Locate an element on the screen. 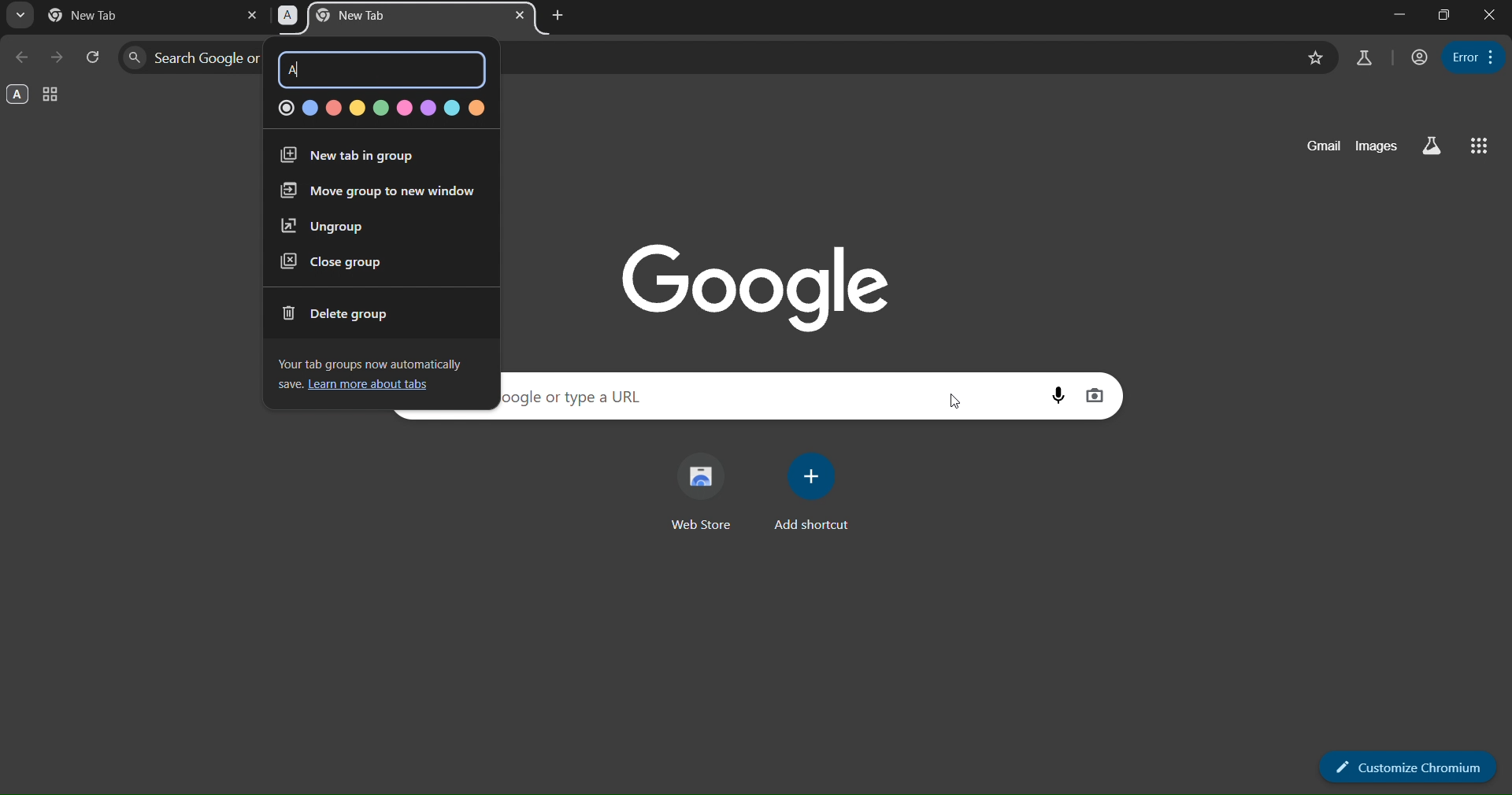 The image size is (1512, 795). new tab is located at coordinates (558, 15).